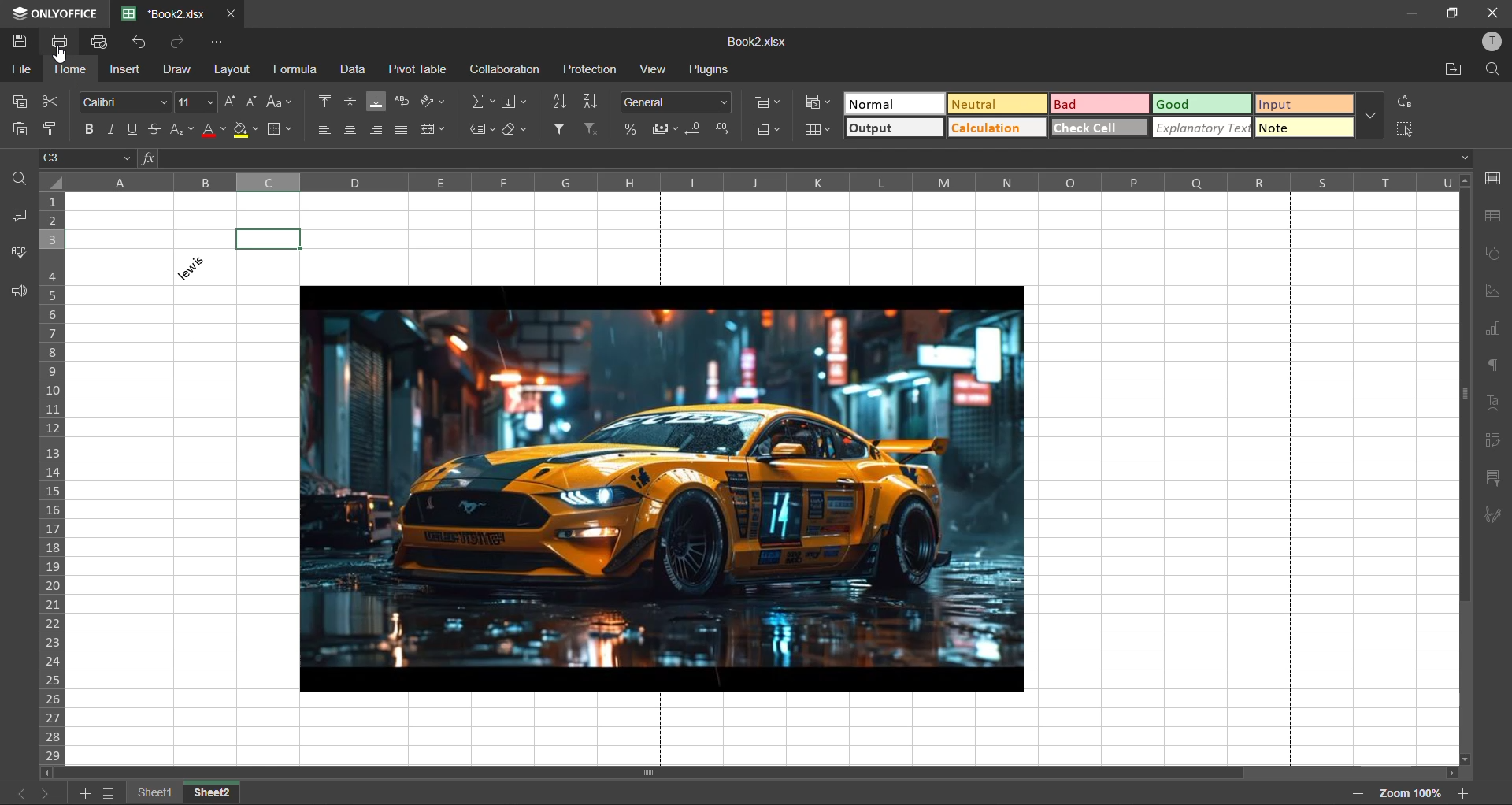  Describe the element at coordinates (1100, 127) in the screenshot. I see `check cell` at that location.